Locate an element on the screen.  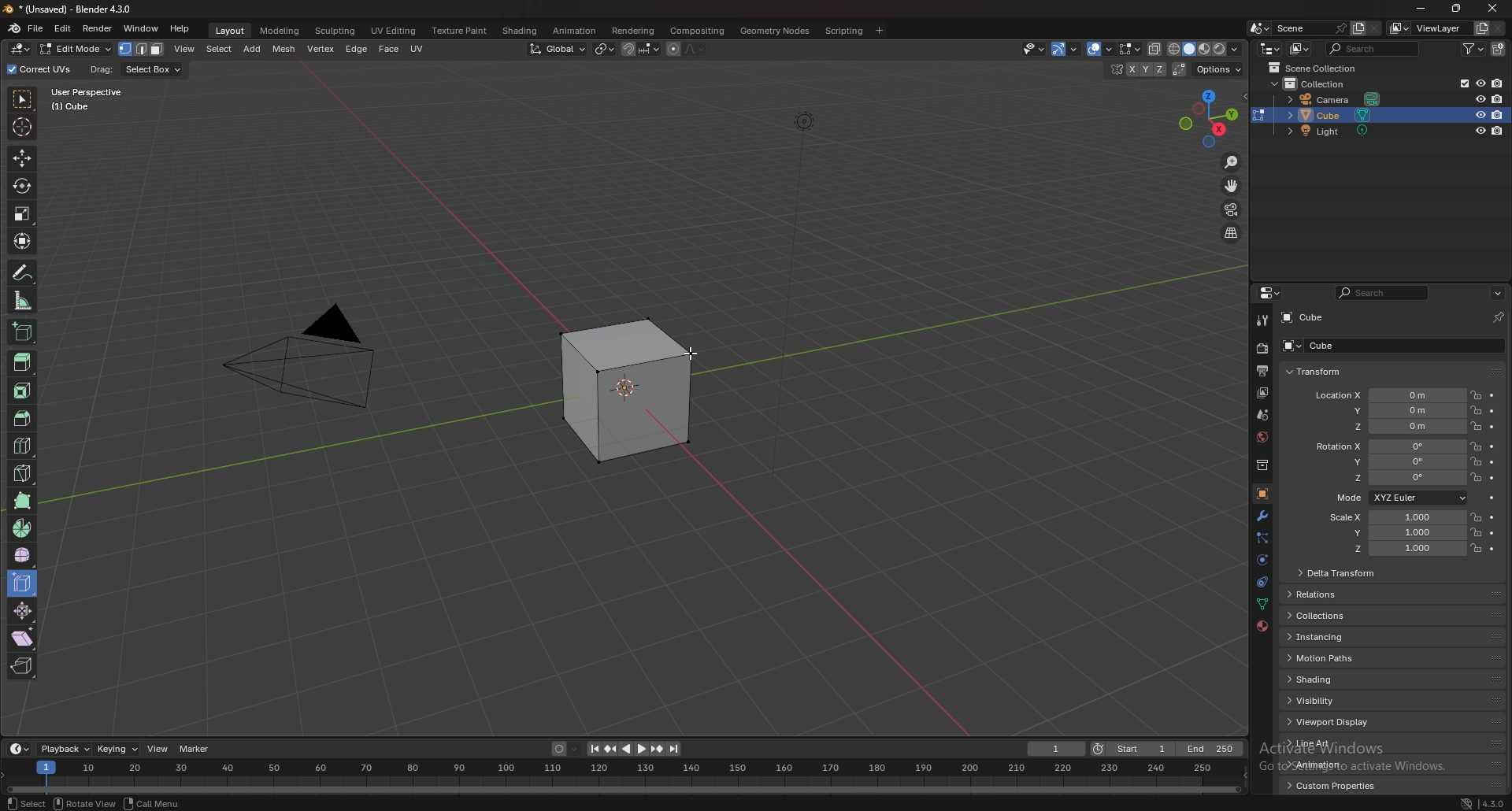
face is located at coordinates (389, 50).